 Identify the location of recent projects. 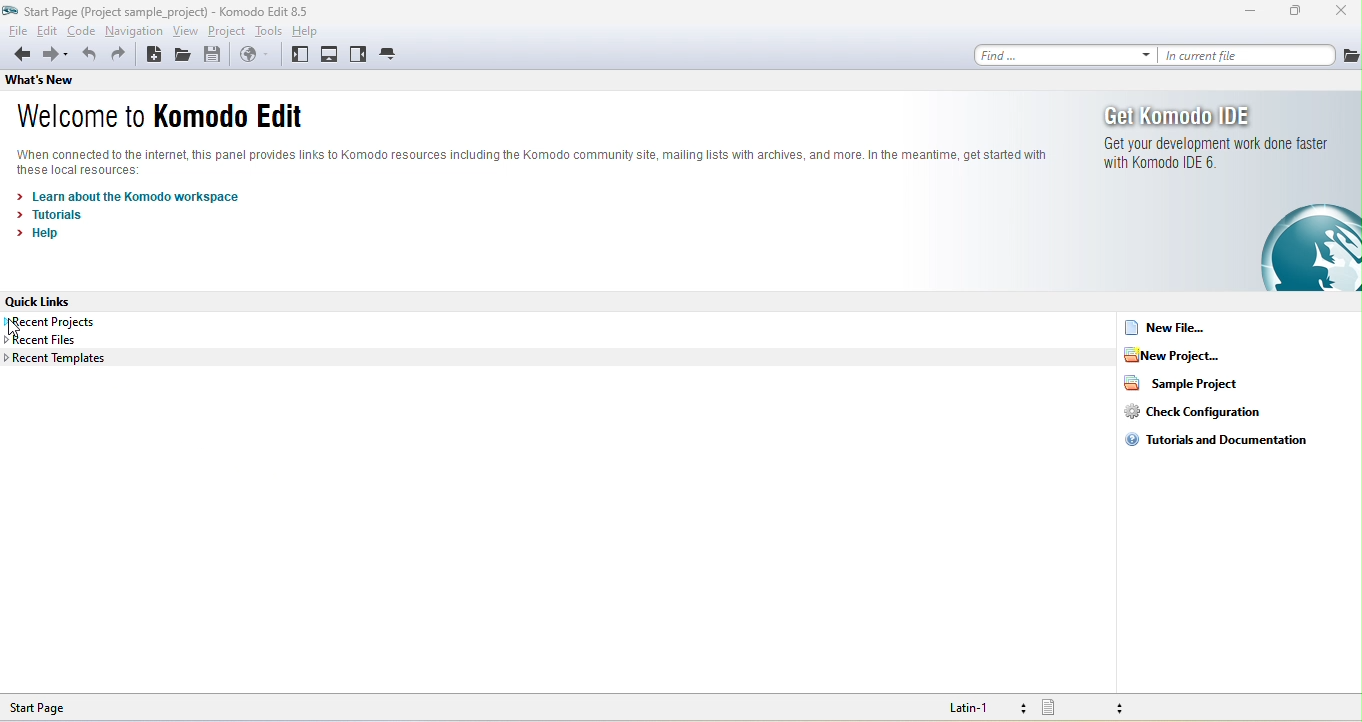
(51, 321).